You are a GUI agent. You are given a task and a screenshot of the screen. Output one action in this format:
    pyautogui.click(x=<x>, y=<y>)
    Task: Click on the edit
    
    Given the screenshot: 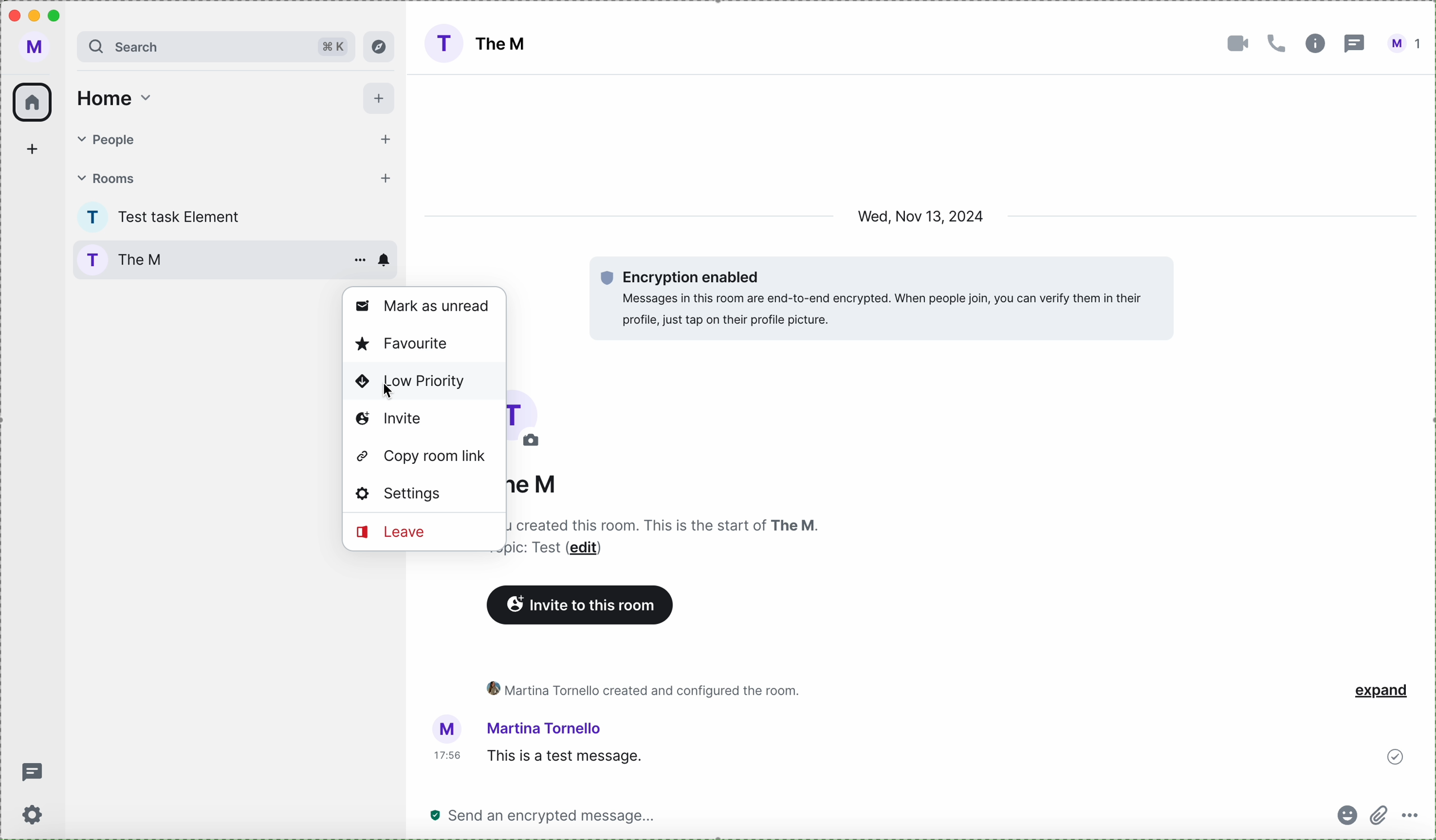 What is the action you would take?
    pyautogui.click(x=593, y=551)
    